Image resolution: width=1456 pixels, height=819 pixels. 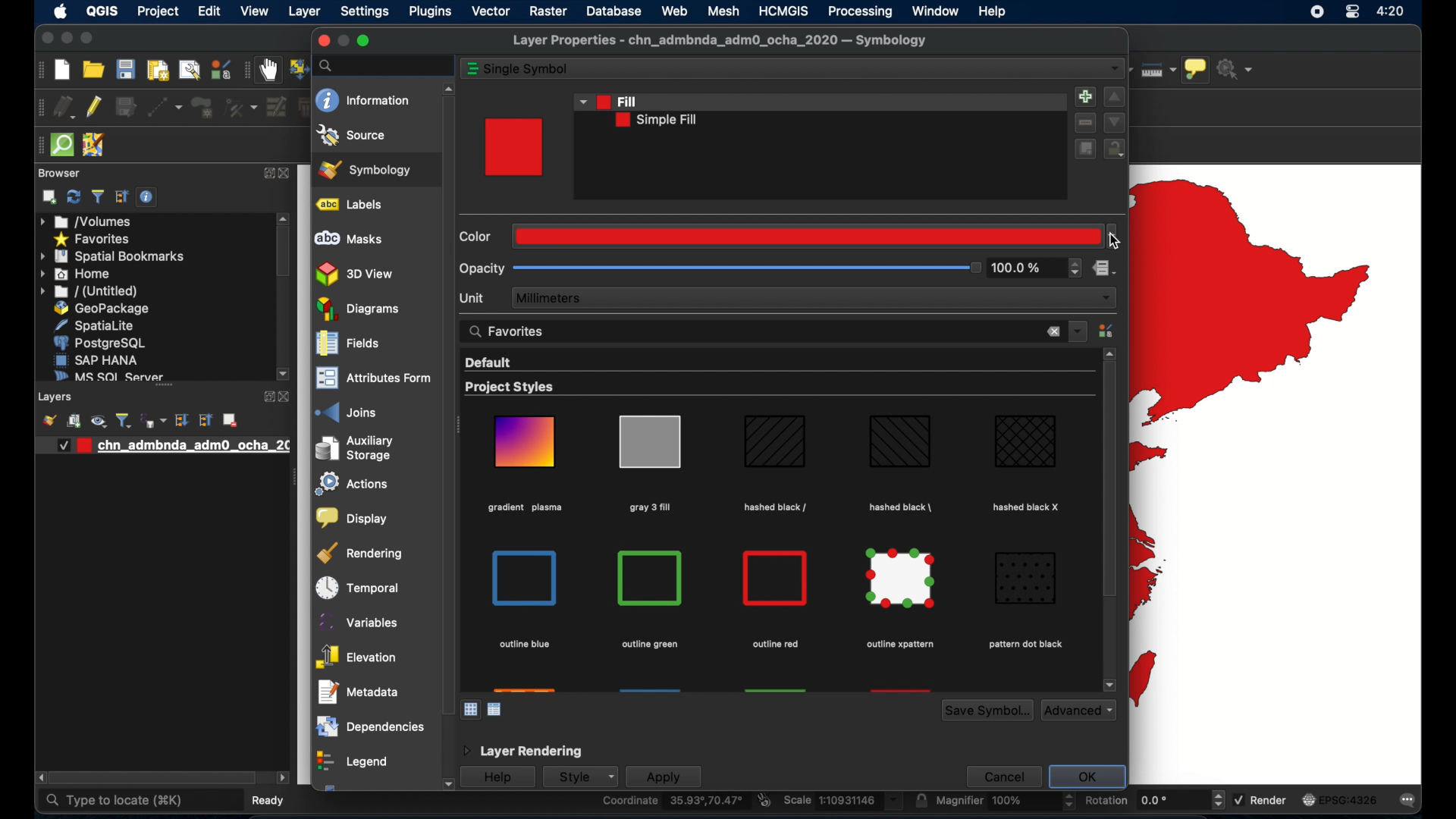 What do you see at coordinates (487, 362) in the screenshot?
I see `default` at bounding box center [487, 362].